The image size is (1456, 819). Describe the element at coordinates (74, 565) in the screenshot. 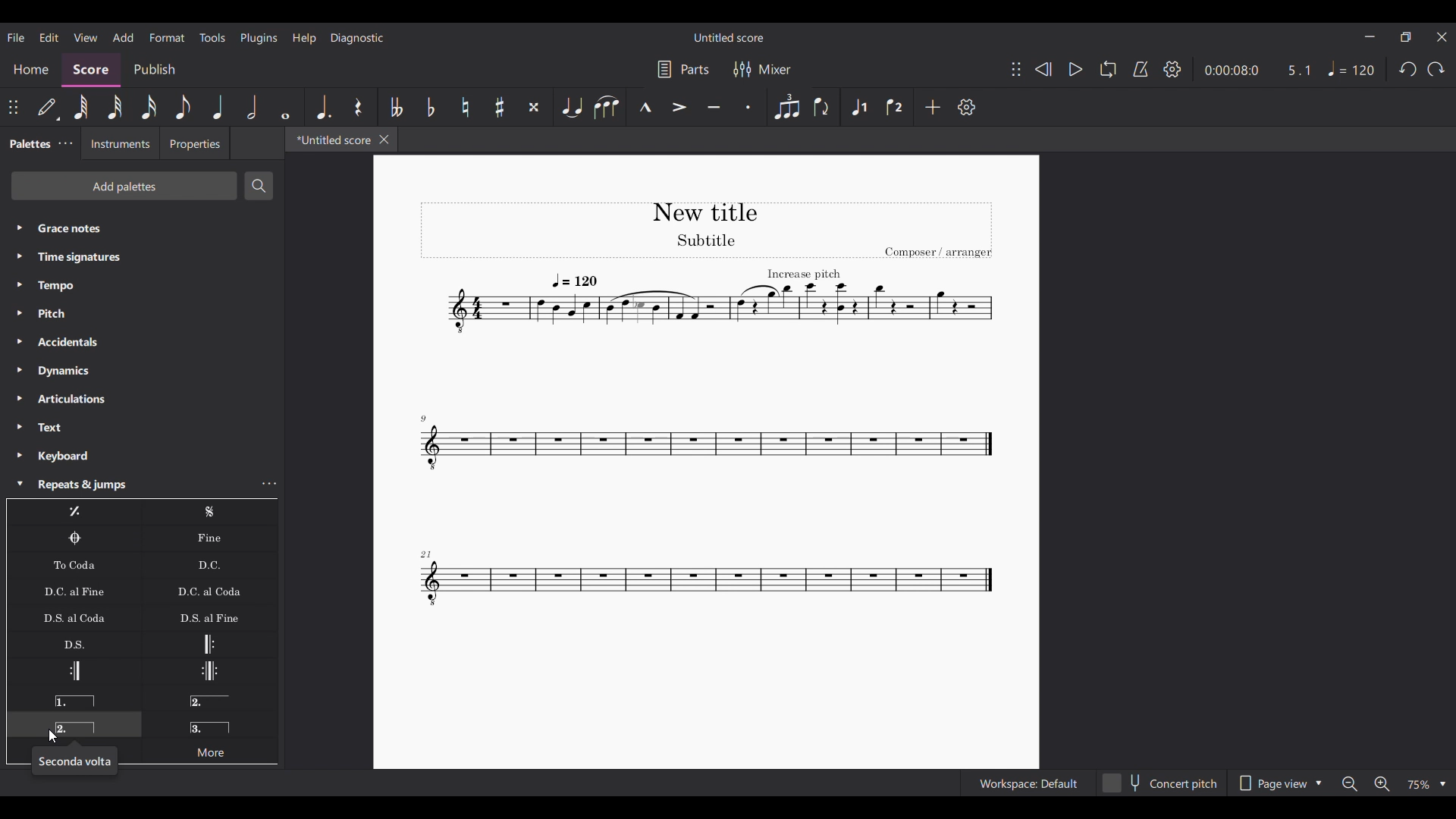

I see `To Coda` at that location.